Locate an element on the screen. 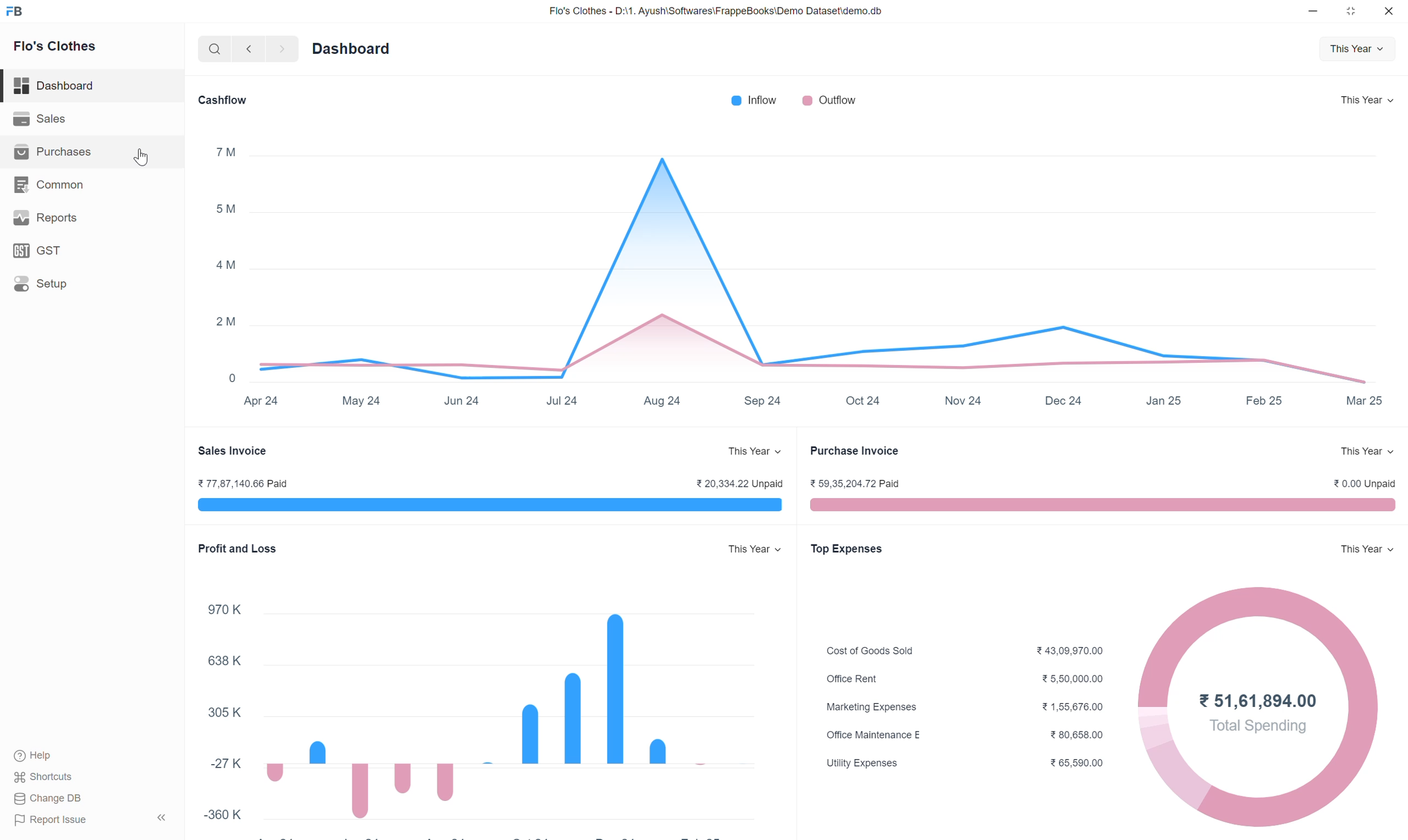 The height and width of the screenshot is (840, 1408). This Year is located at coordinates (1369, 99).